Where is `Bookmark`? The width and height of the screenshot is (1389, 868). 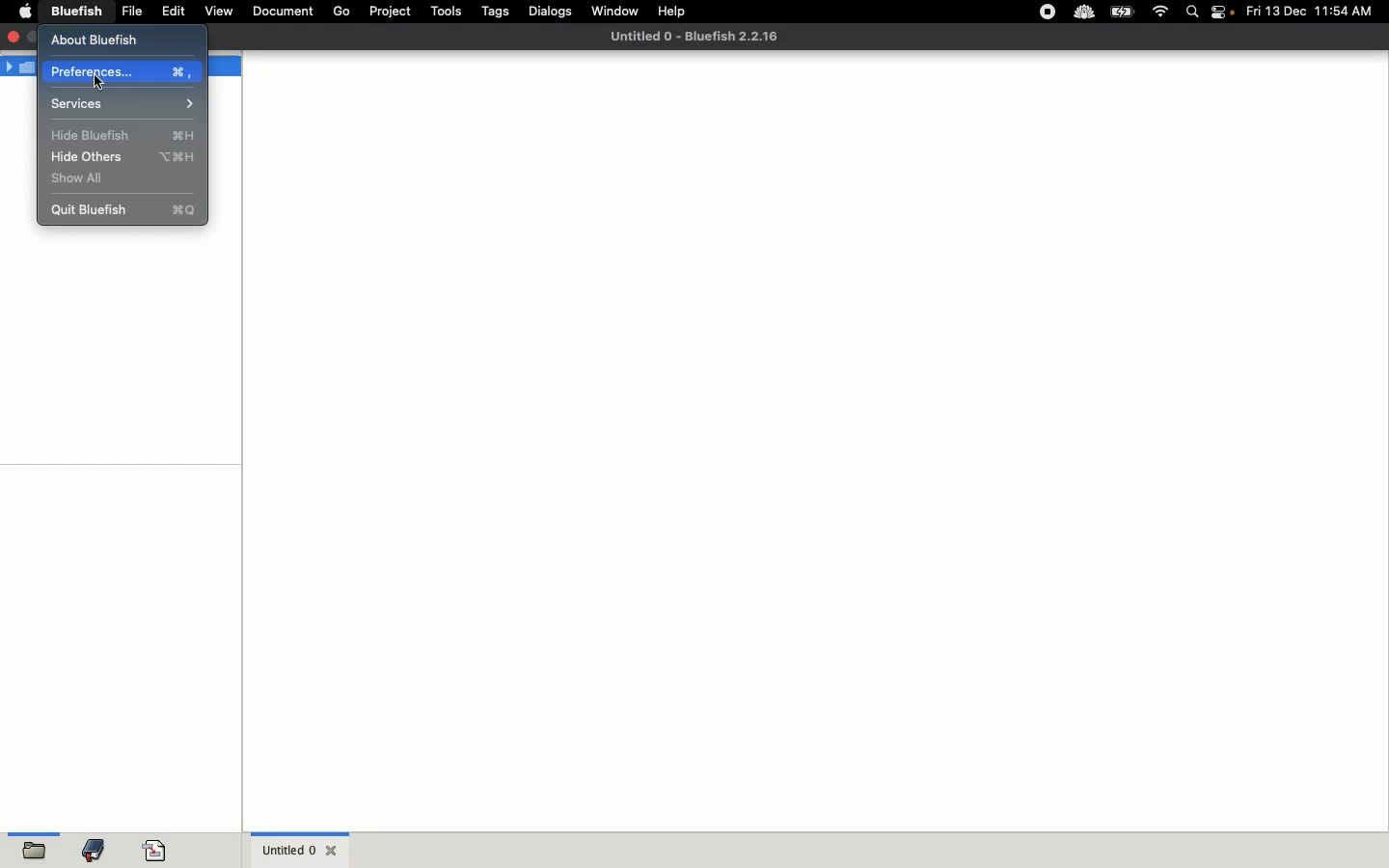
Bookmark is located at coordinates (95, 854).